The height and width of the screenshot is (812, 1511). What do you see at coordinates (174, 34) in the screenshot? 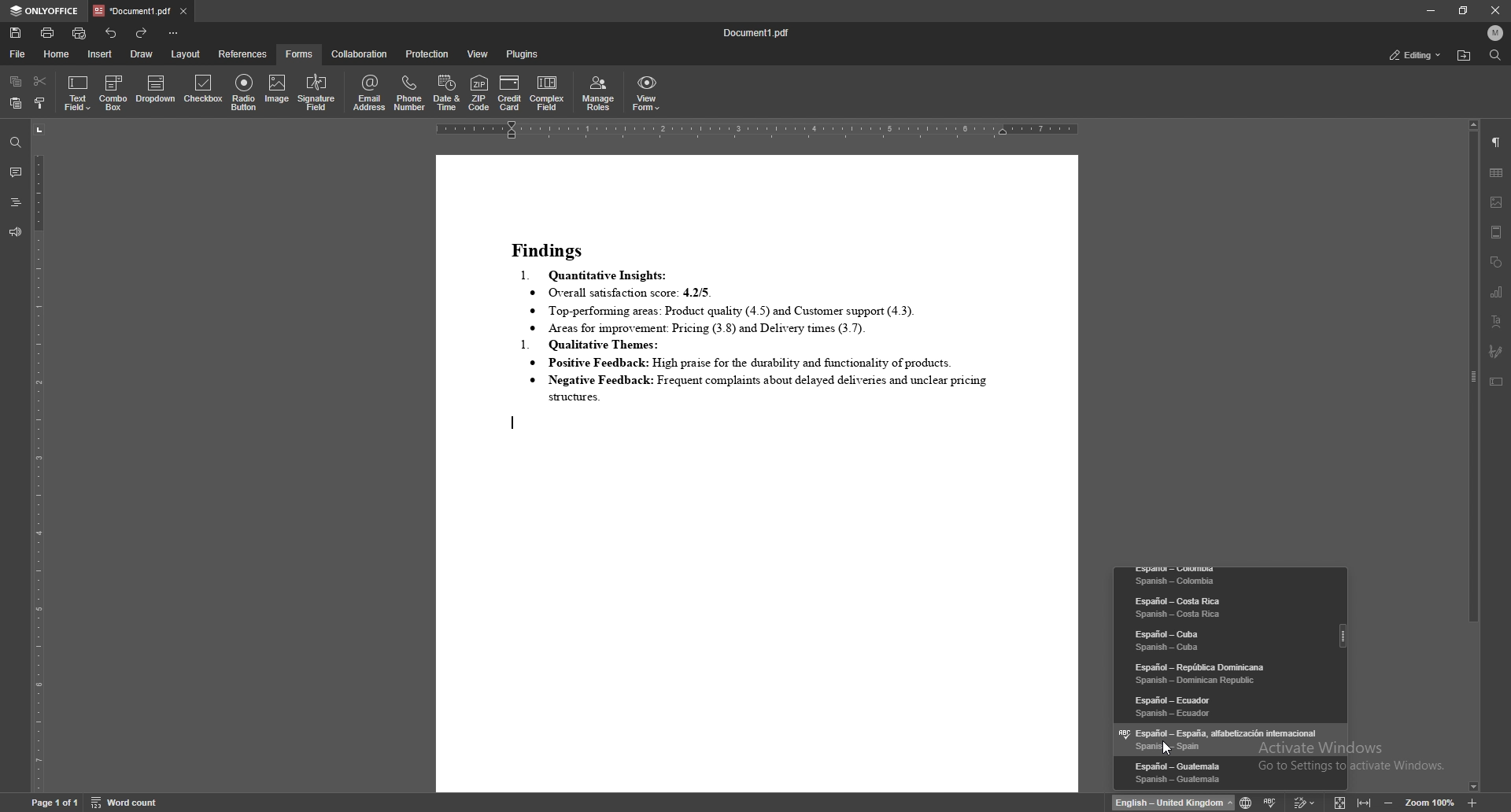
I see `customize toolbar` at bounding box center [174, 34].